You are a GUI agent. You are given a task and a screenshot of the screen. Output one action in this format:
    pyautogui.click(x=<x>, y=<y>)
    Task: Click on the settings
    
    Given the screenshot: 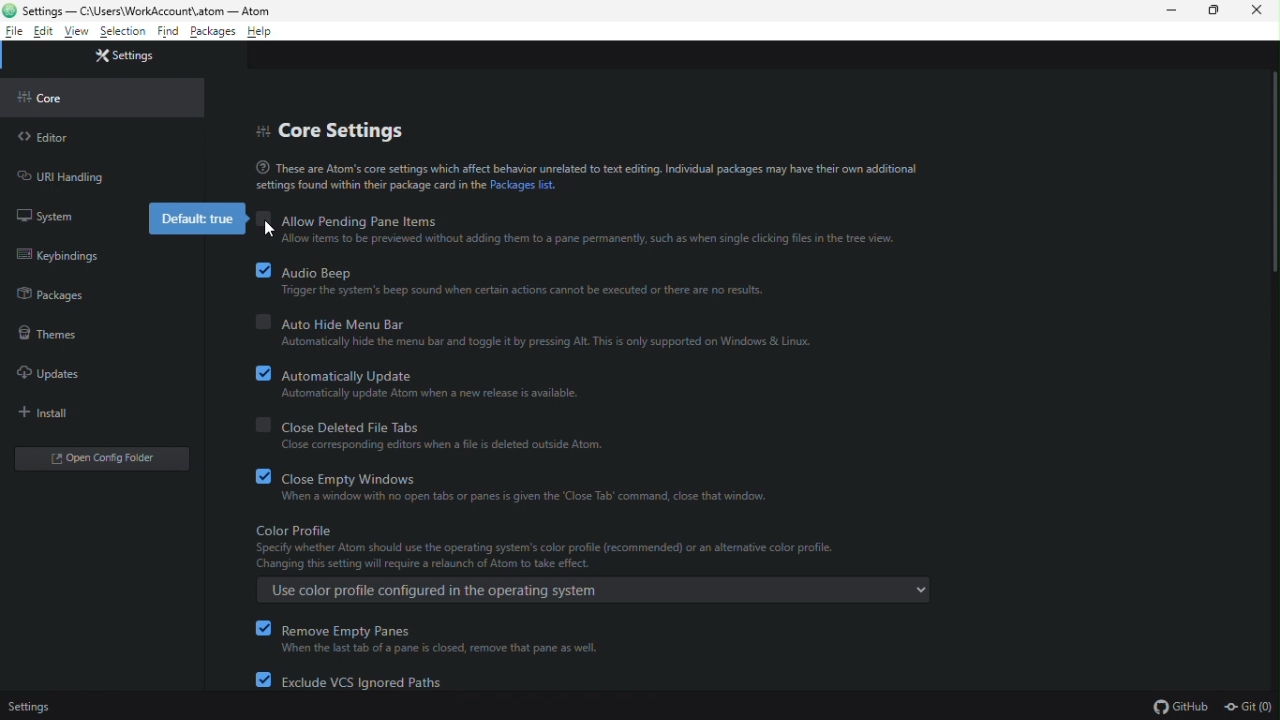 What is the action you would take?
    pyautogui.click(x=132, y=57)
    